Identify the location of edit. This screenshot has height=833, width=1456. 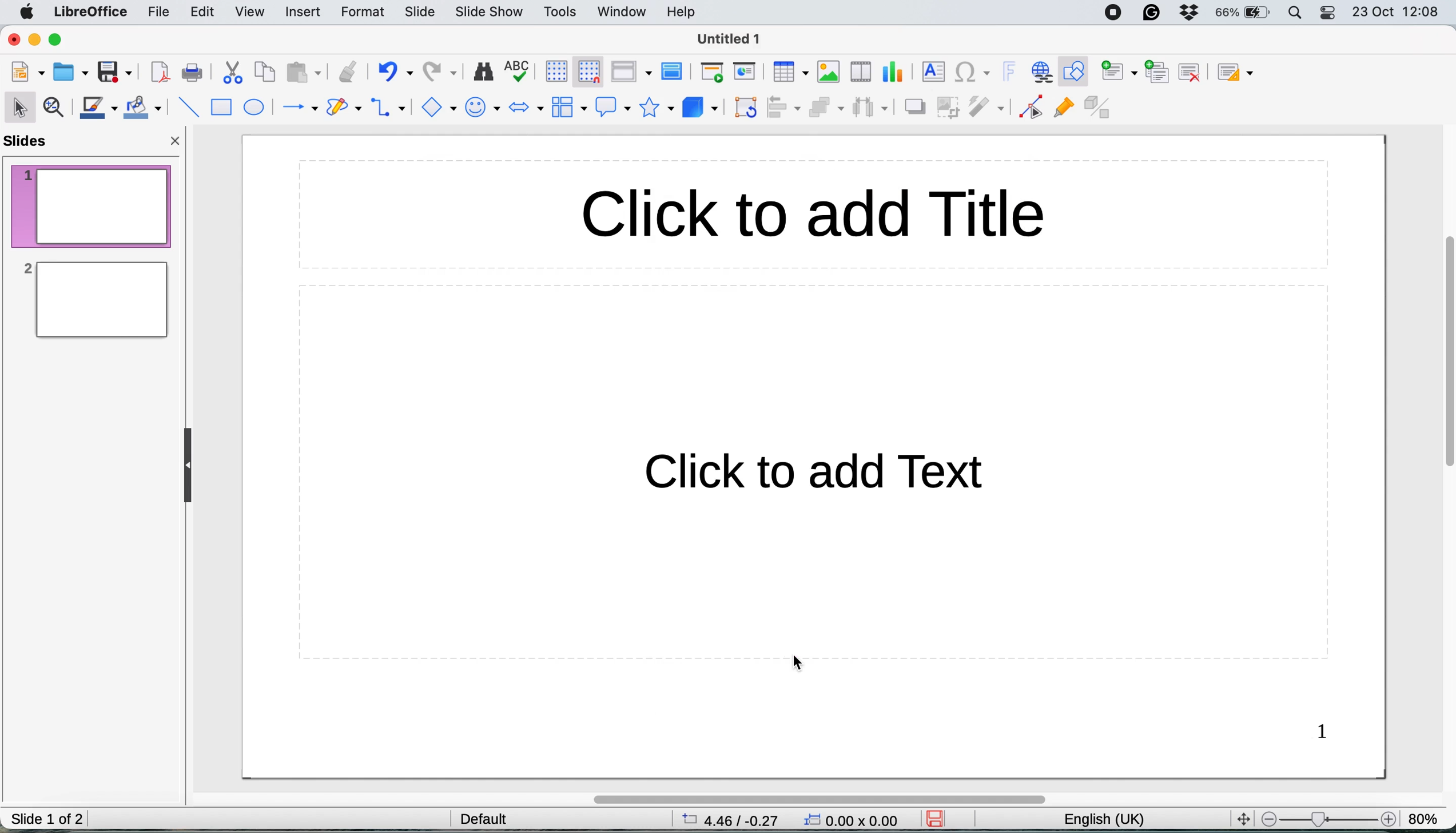
(206, 14).